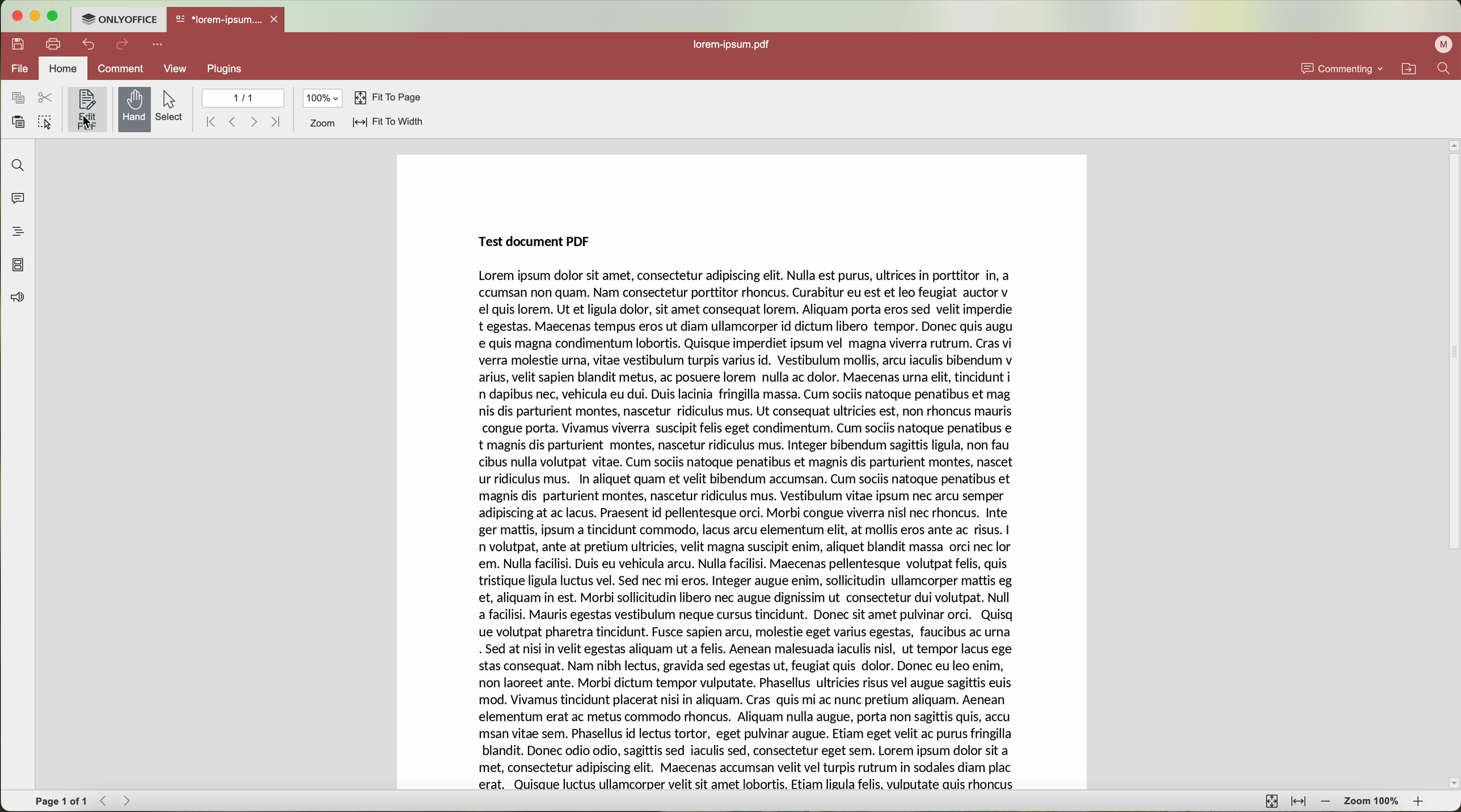 This screenshot has width=1461, height=812. What do you see at coordinates (243, 121) in the screenshot?
I see `navigate arrows` at bounding box center [243, 121].